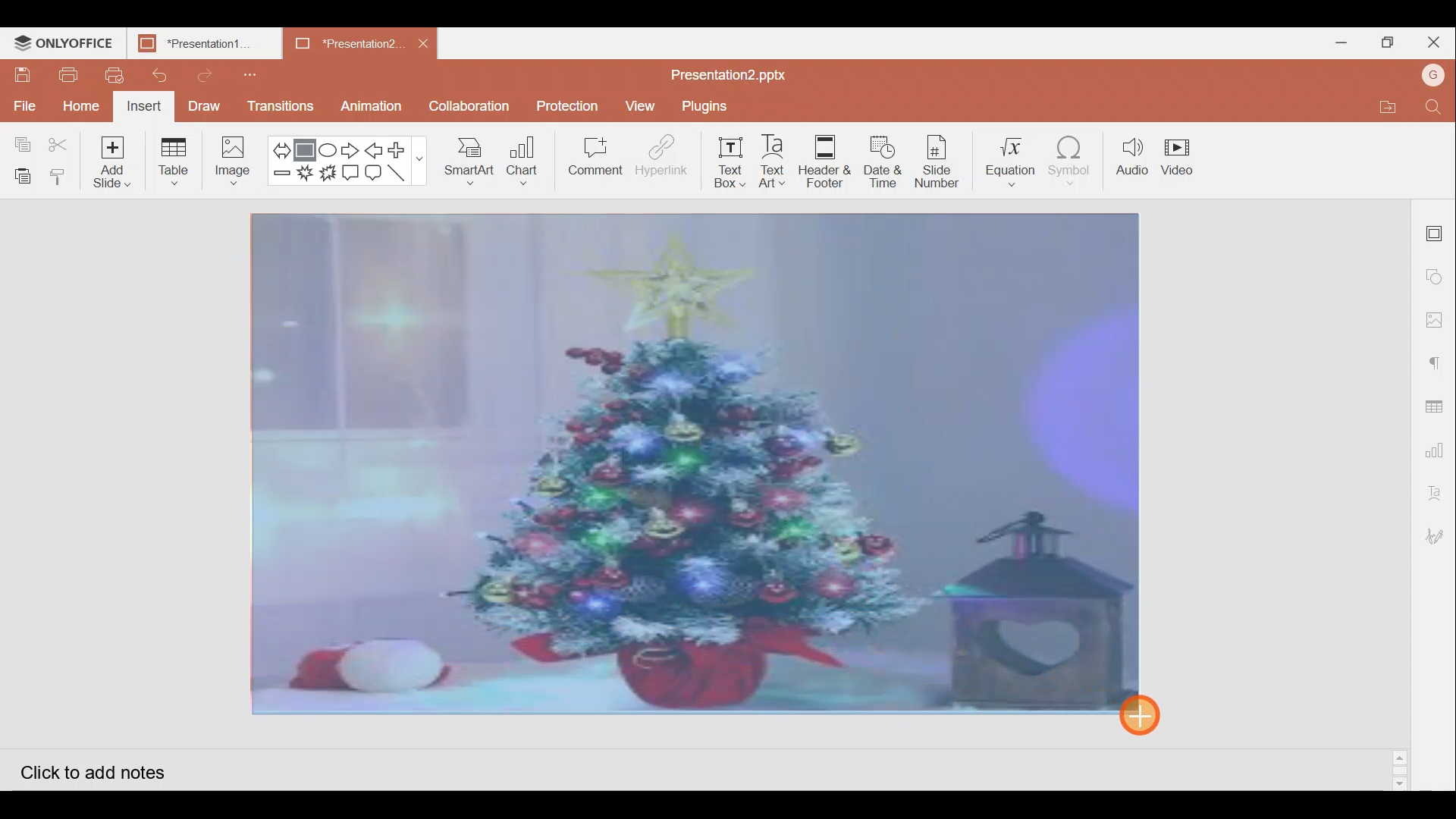  What do you see at coordinates (22, 75) in the screenshot?
I see `Save` at bounding box center [22, 75].